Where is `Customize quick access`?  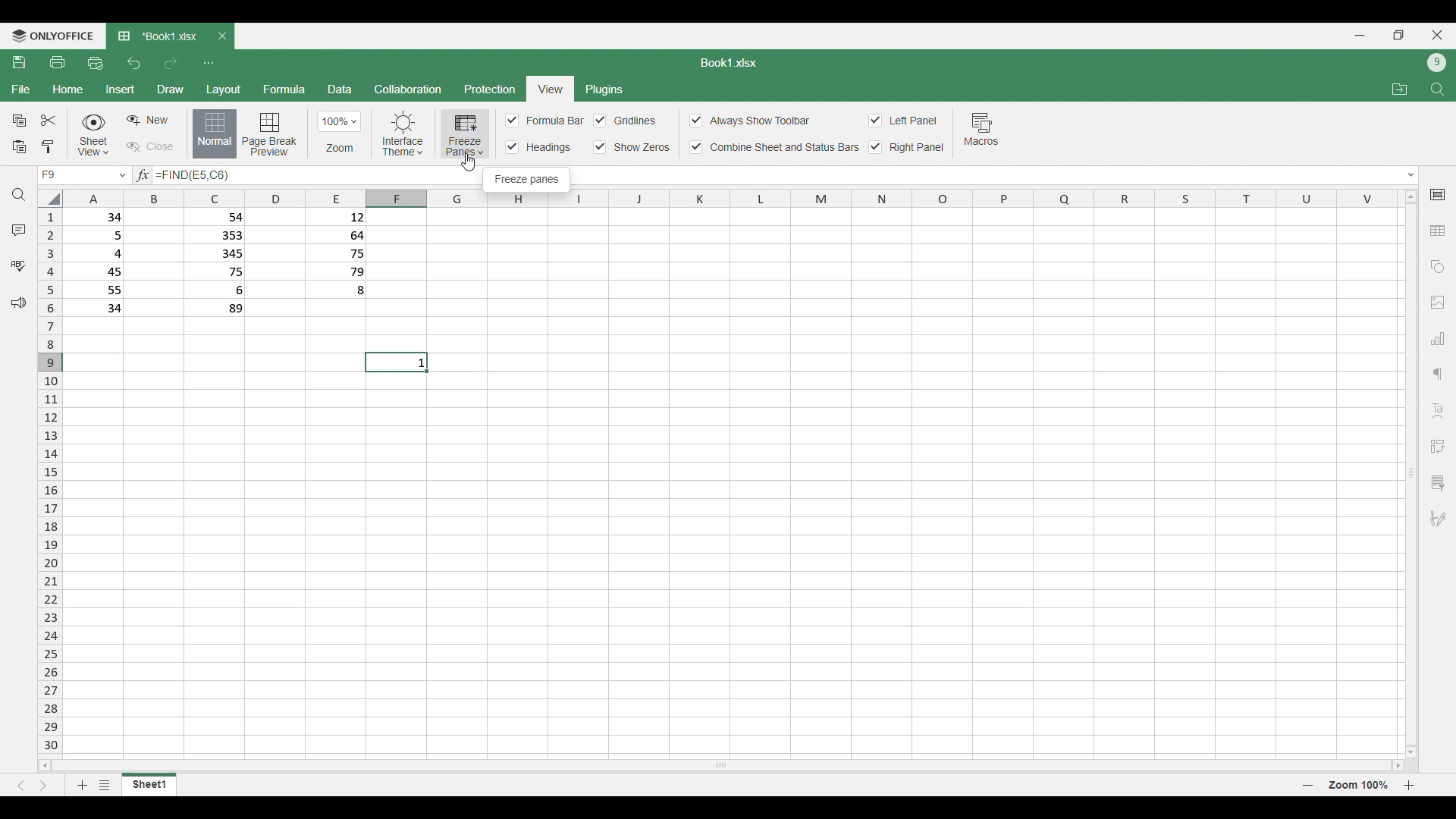 Customize quick access is located at coordinates (209, 64).